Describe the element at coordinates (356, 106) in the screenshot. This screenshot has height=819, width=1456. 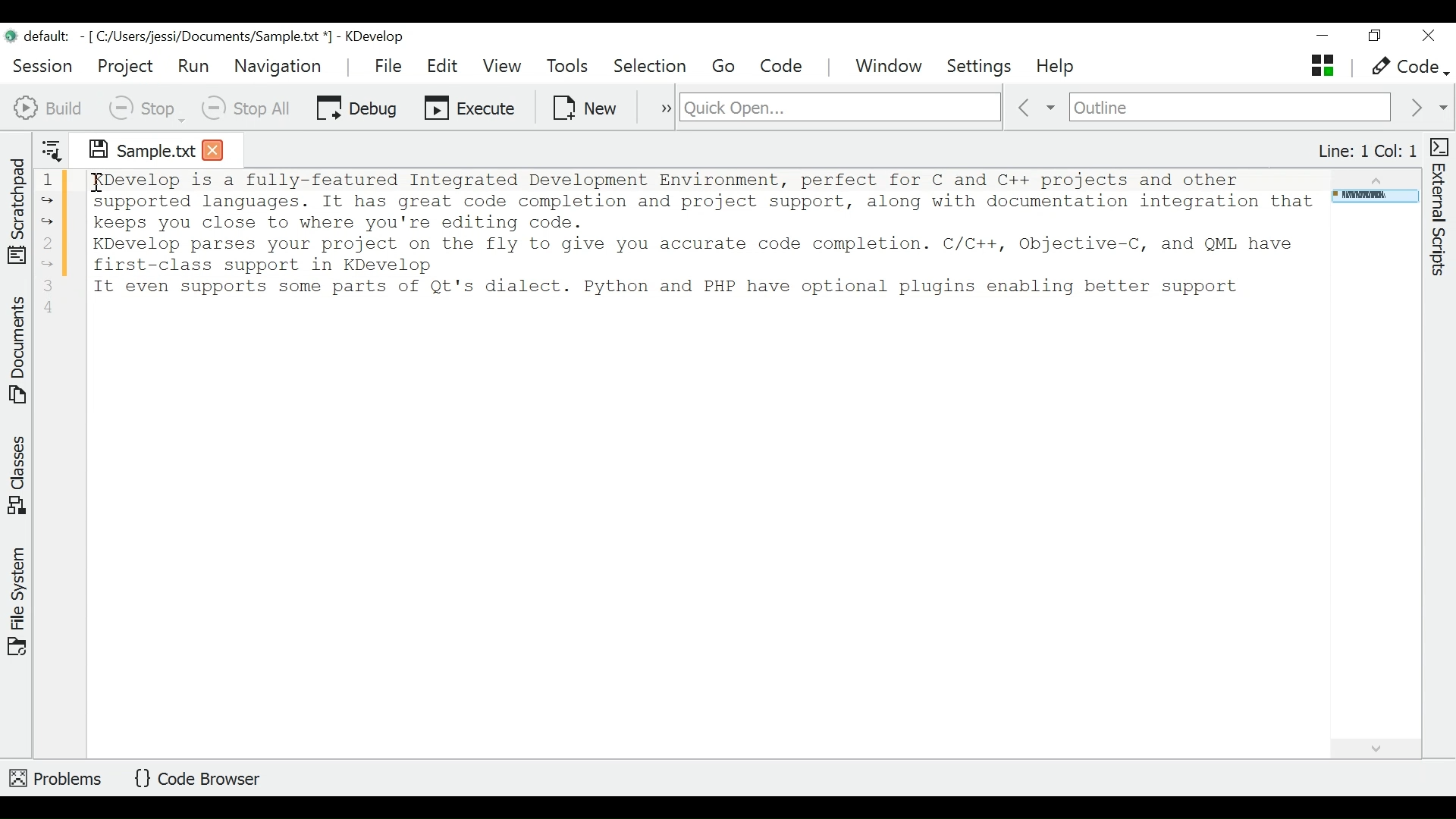
I see `Debug` at that location.